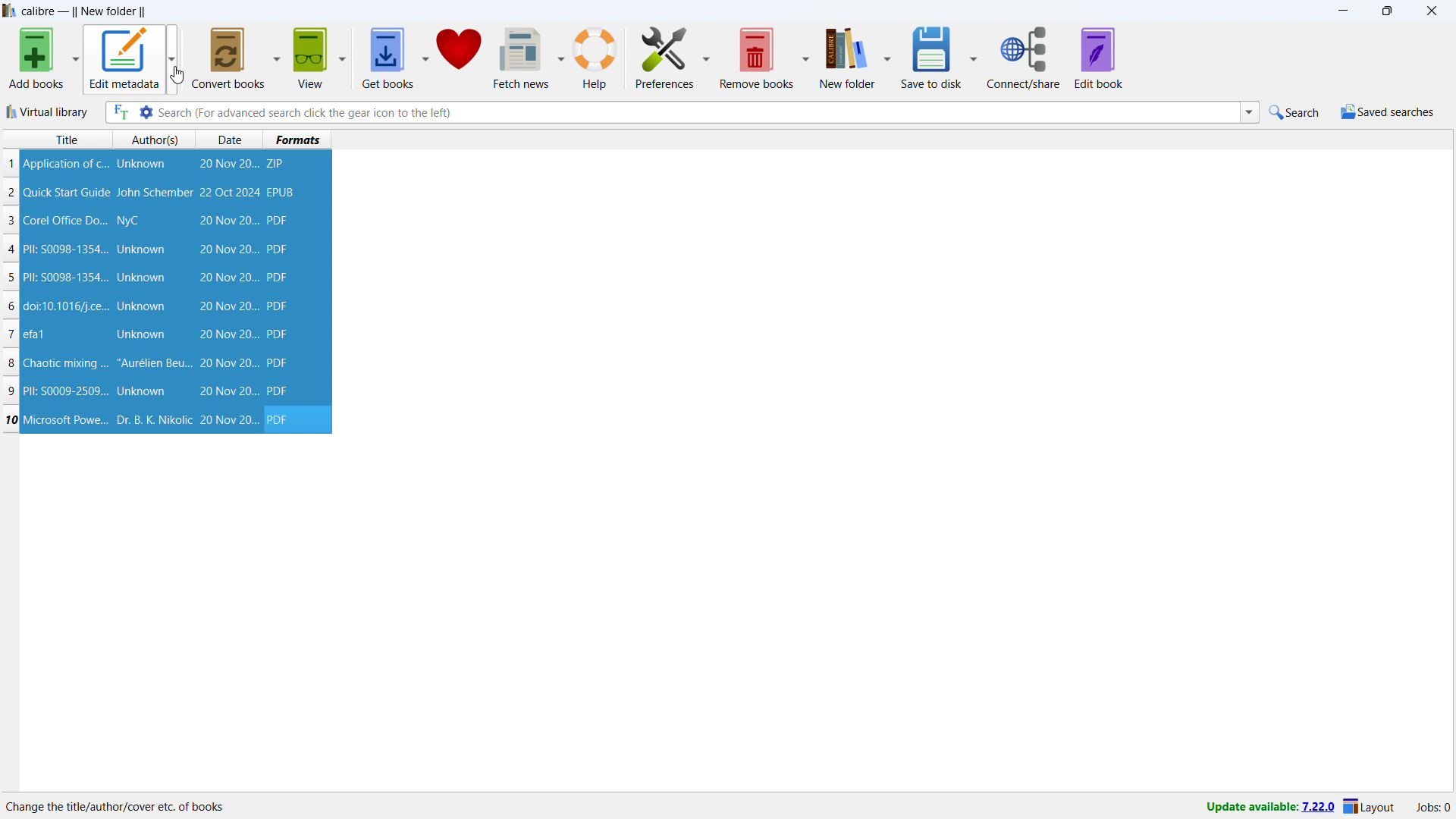  Describe the element at coordinates (66, 278) in the screenshot. I see `PII:S0098-1354...` at that location.